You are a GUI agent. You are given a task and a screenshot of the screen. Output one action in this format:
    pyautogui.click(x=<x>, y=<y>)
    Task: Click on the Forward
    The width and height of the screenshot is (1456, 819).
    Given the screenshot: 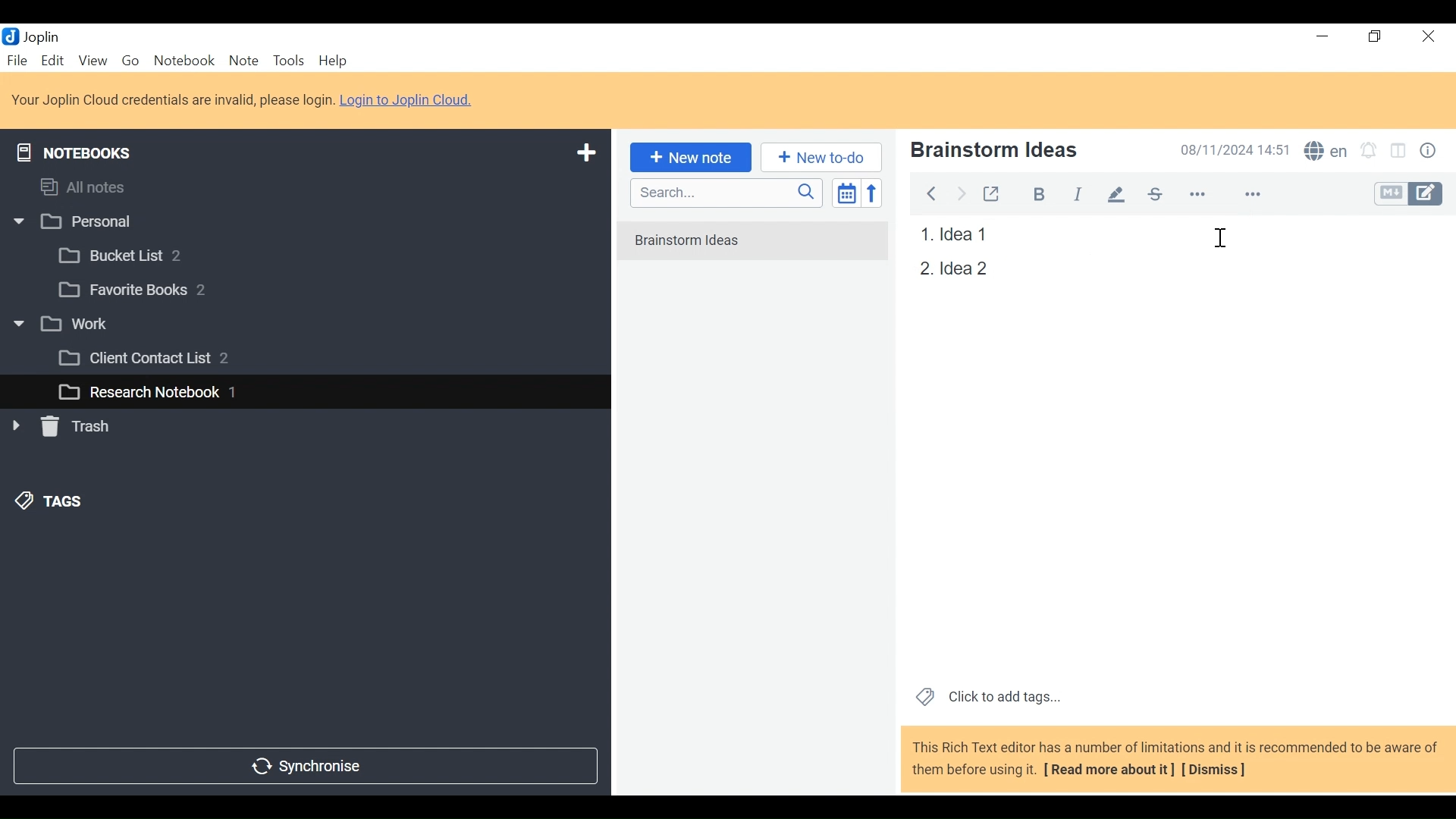 What is the action you would take?
    pyautogui.click(x=962, y=192)
    